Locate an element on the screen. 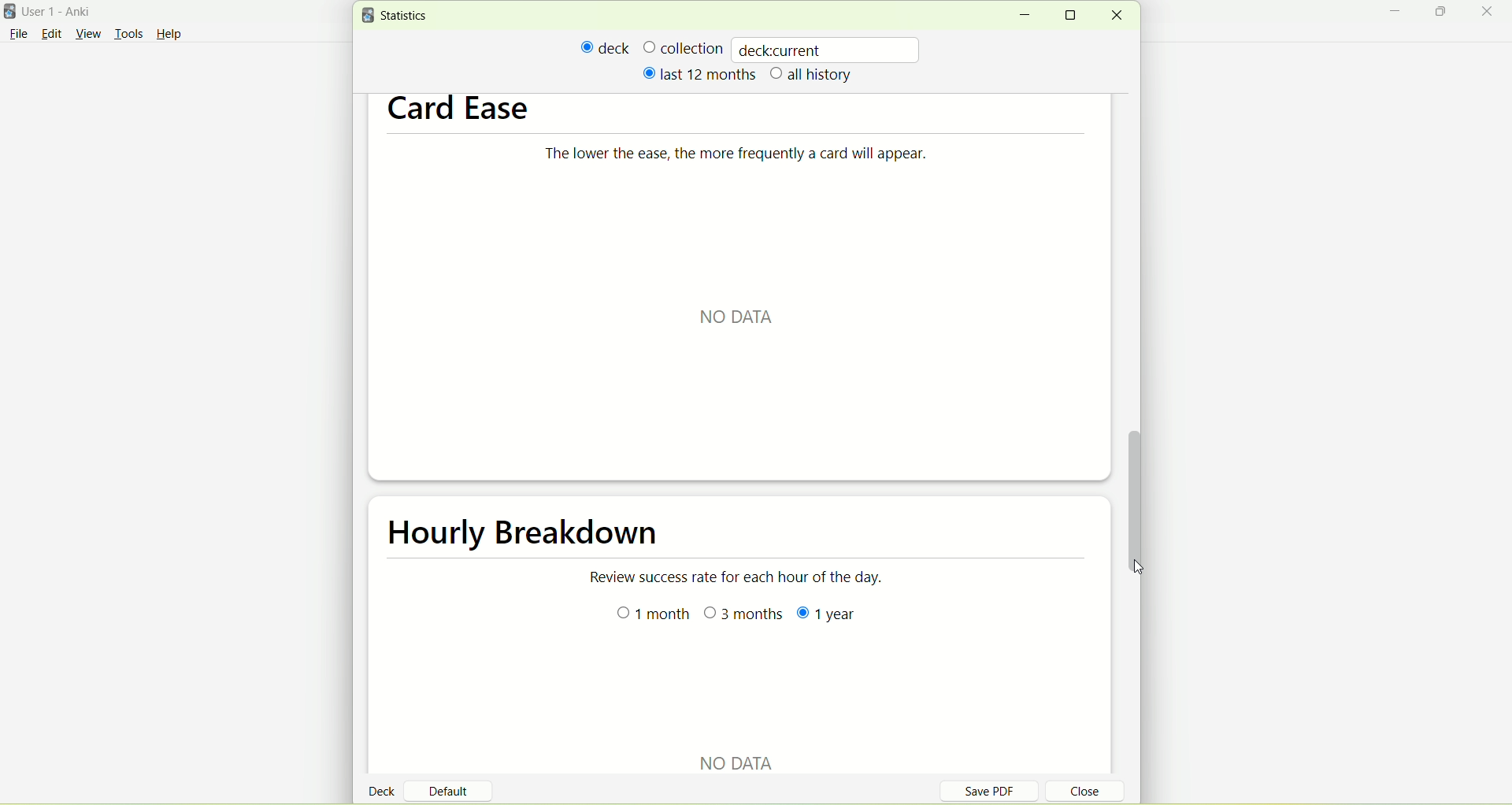  deck is located at coordinates (384, 790).